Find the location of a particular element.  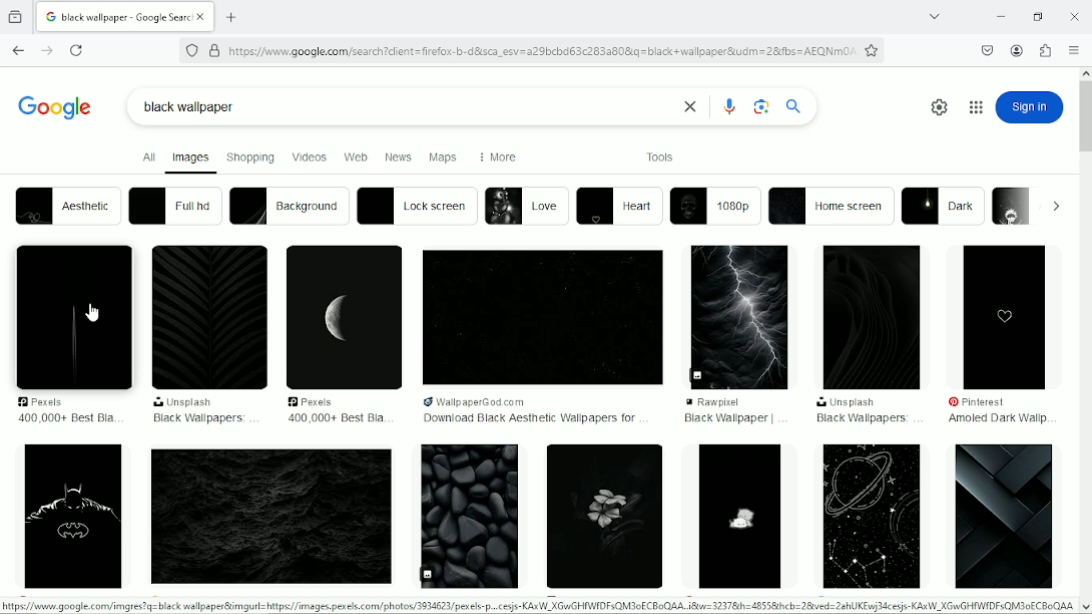

Close is located at coordinates (1075, 15).